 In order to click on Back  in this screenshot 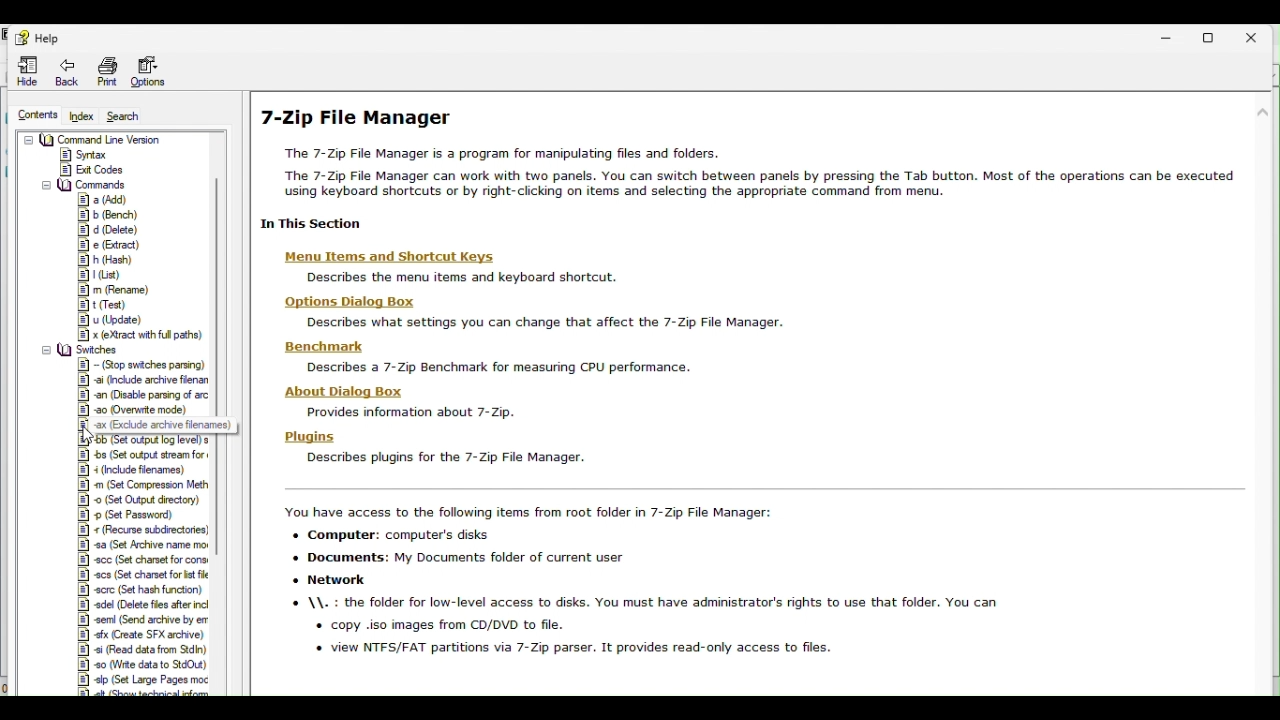, I will do `click(67, 72)`.